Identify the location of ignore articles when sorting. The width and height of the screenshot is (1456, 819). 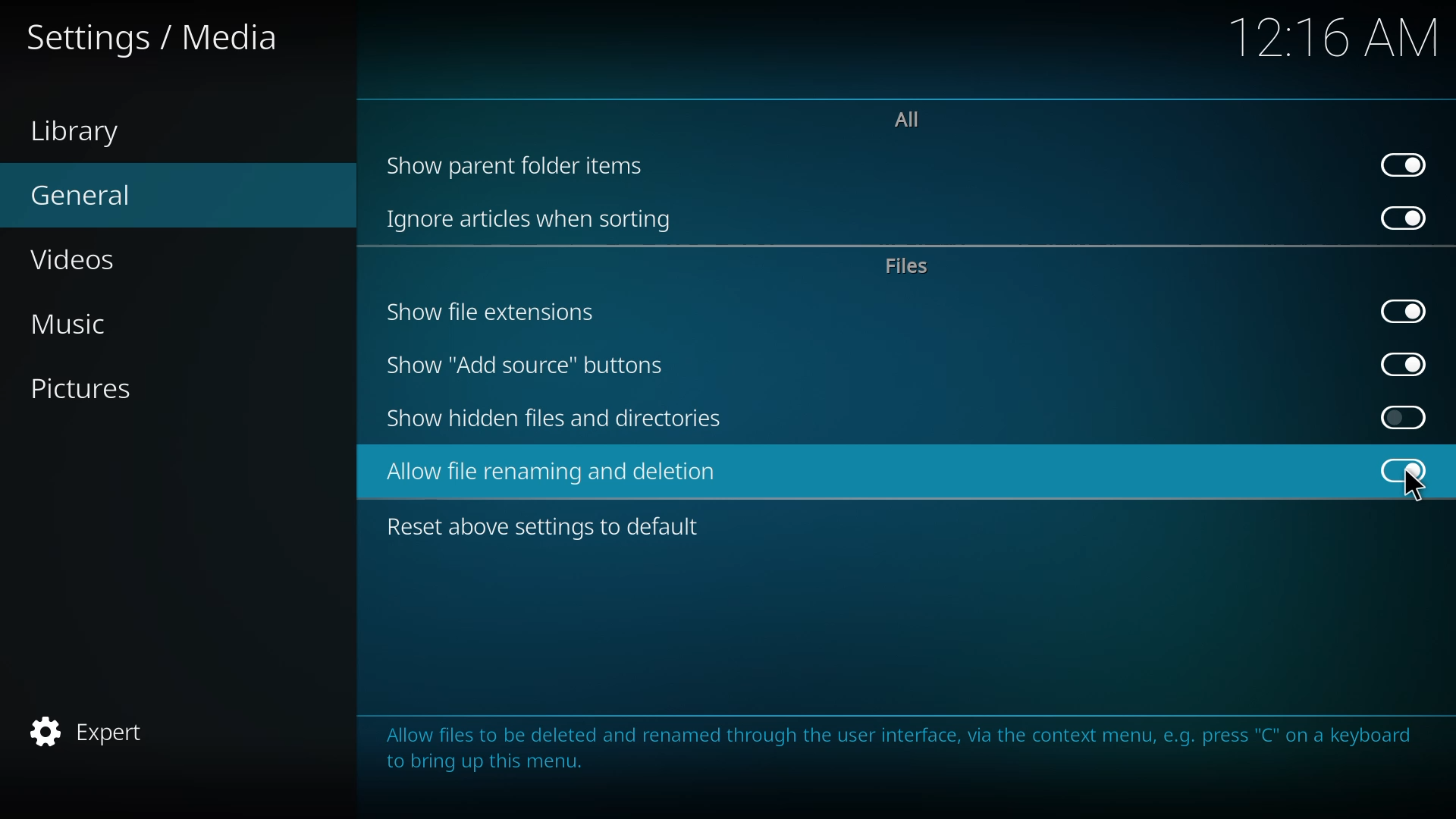
(530, 218).